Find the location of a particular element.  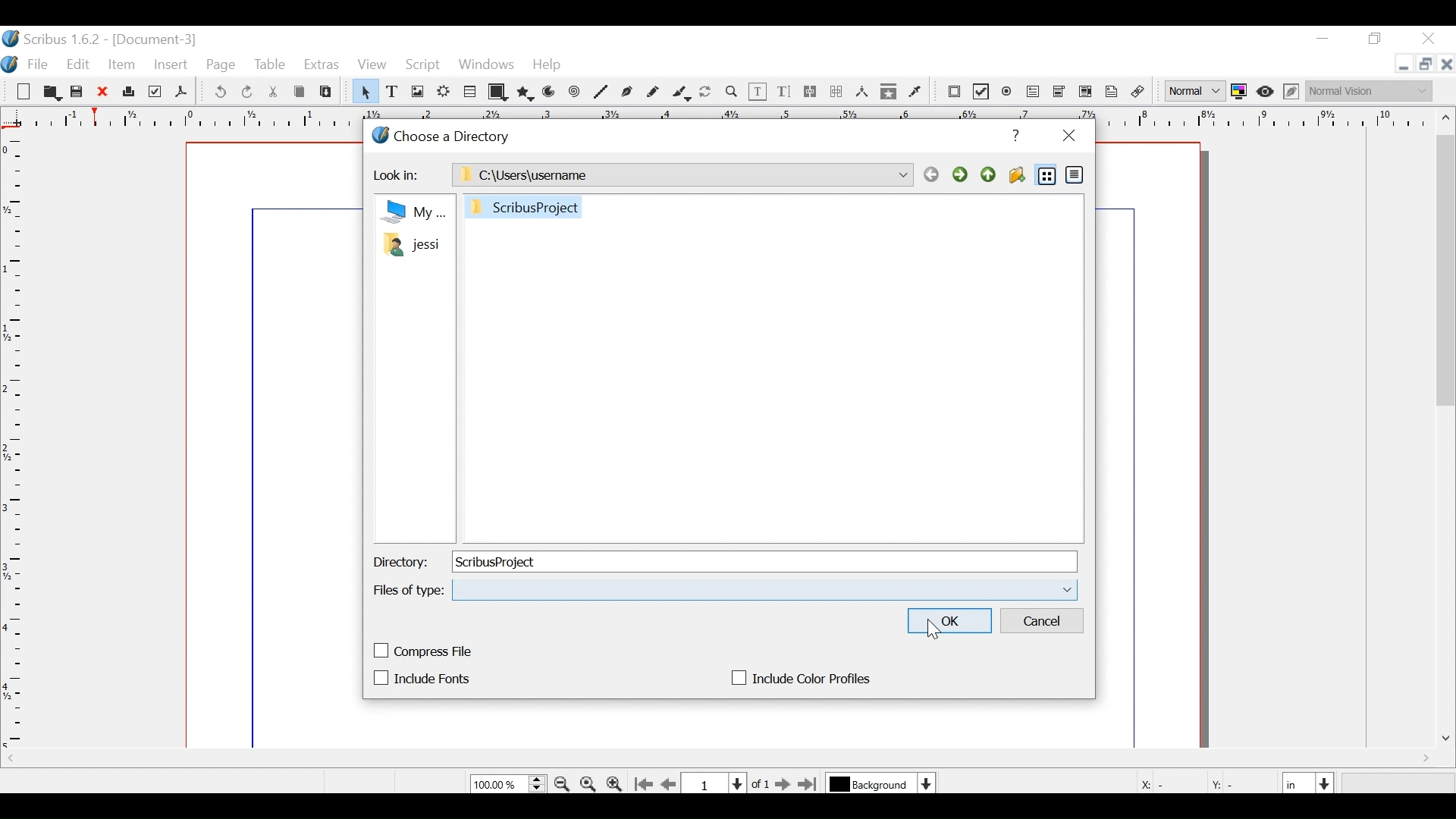

Unlink text frame is located at coordinates (836, 92).